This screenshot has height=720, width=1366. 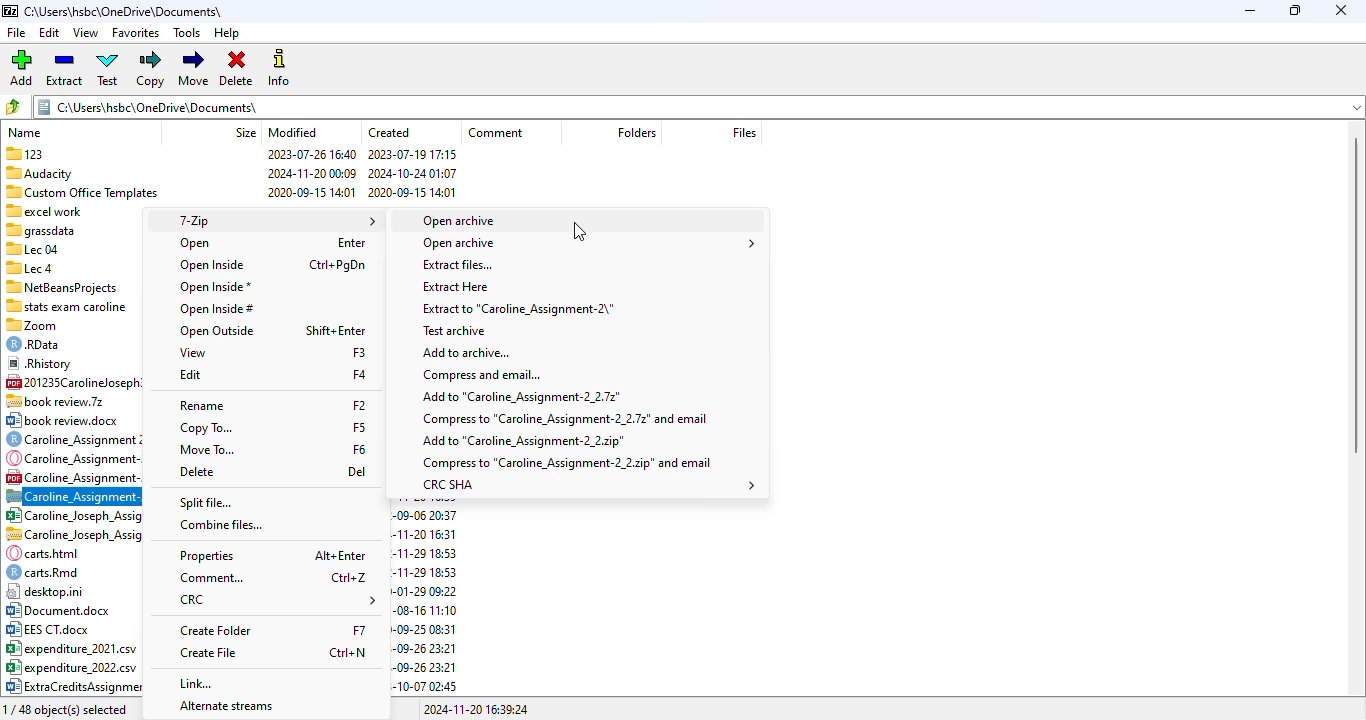 I want to click on create folder, so click(x=218, y=631).